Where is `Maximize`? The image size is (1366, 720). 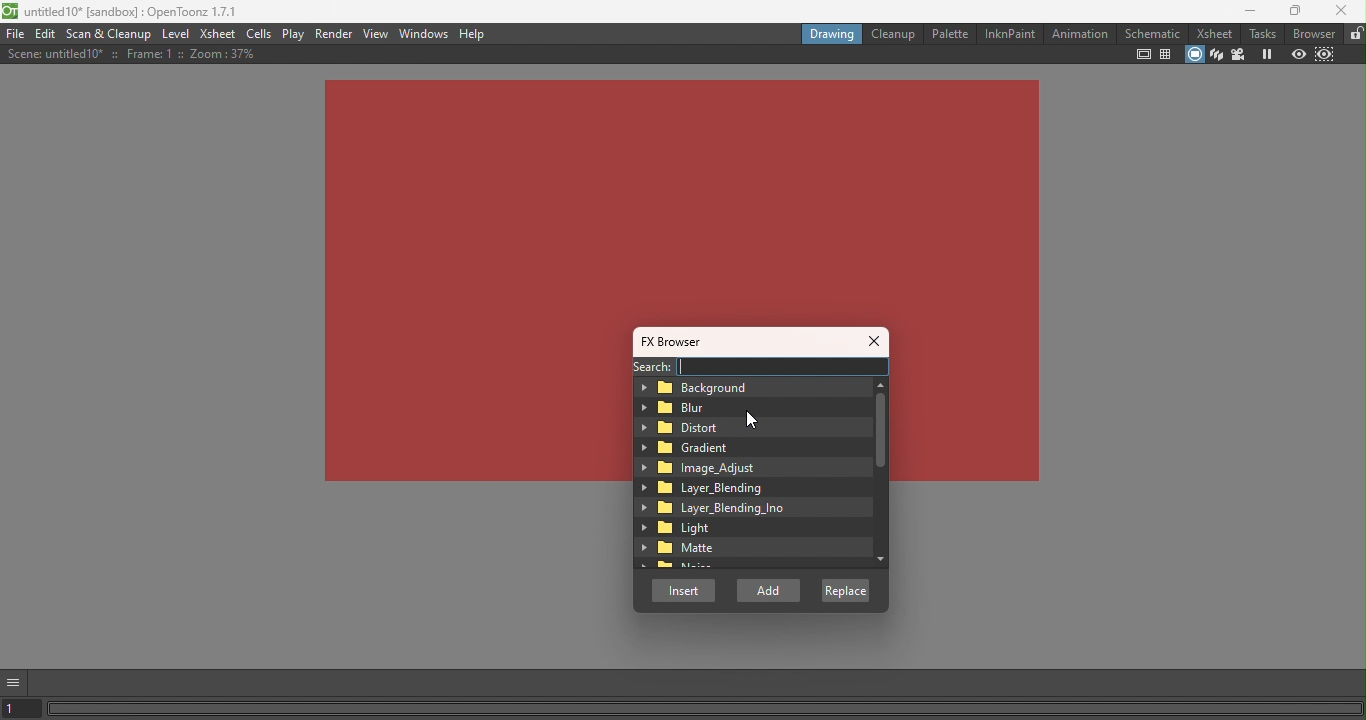 Maximize is located at coordinates (1296, 11).